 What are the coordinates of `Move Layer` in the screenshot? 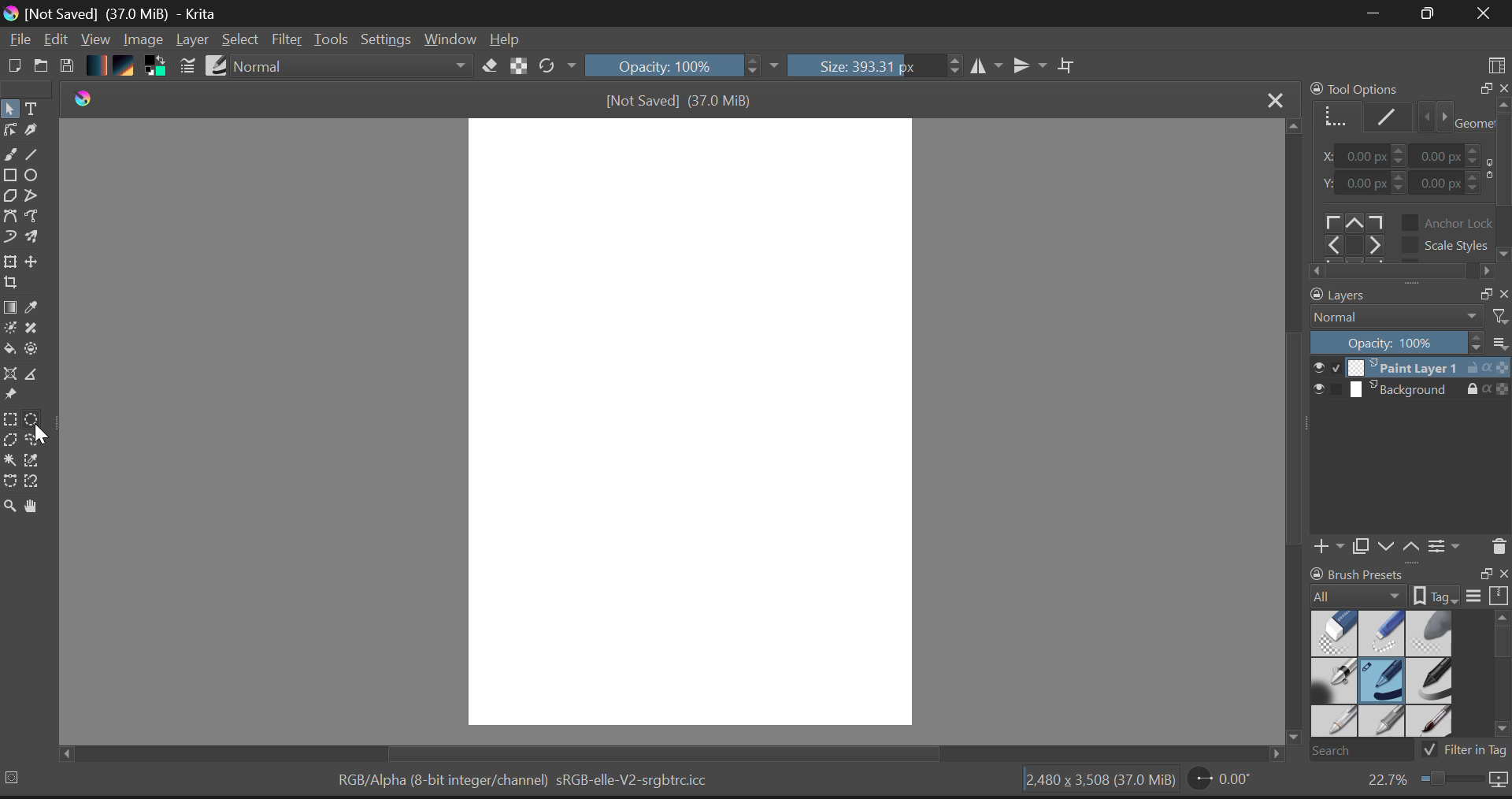 It's located at (38, 266).